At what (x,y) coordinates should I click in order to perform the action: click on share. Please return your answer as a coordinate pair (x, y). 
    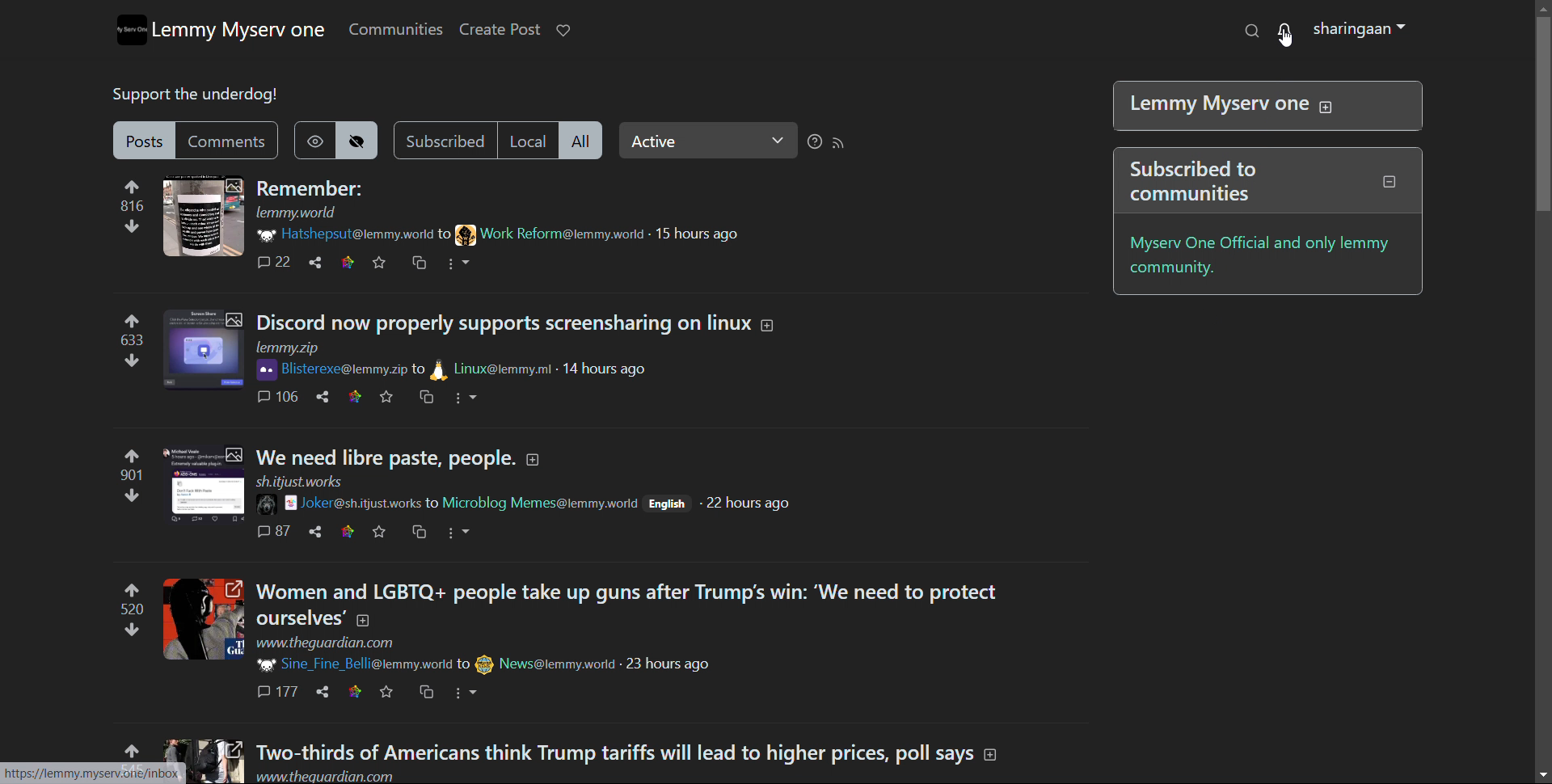
    Looking at the image, I should click on (315, 531).